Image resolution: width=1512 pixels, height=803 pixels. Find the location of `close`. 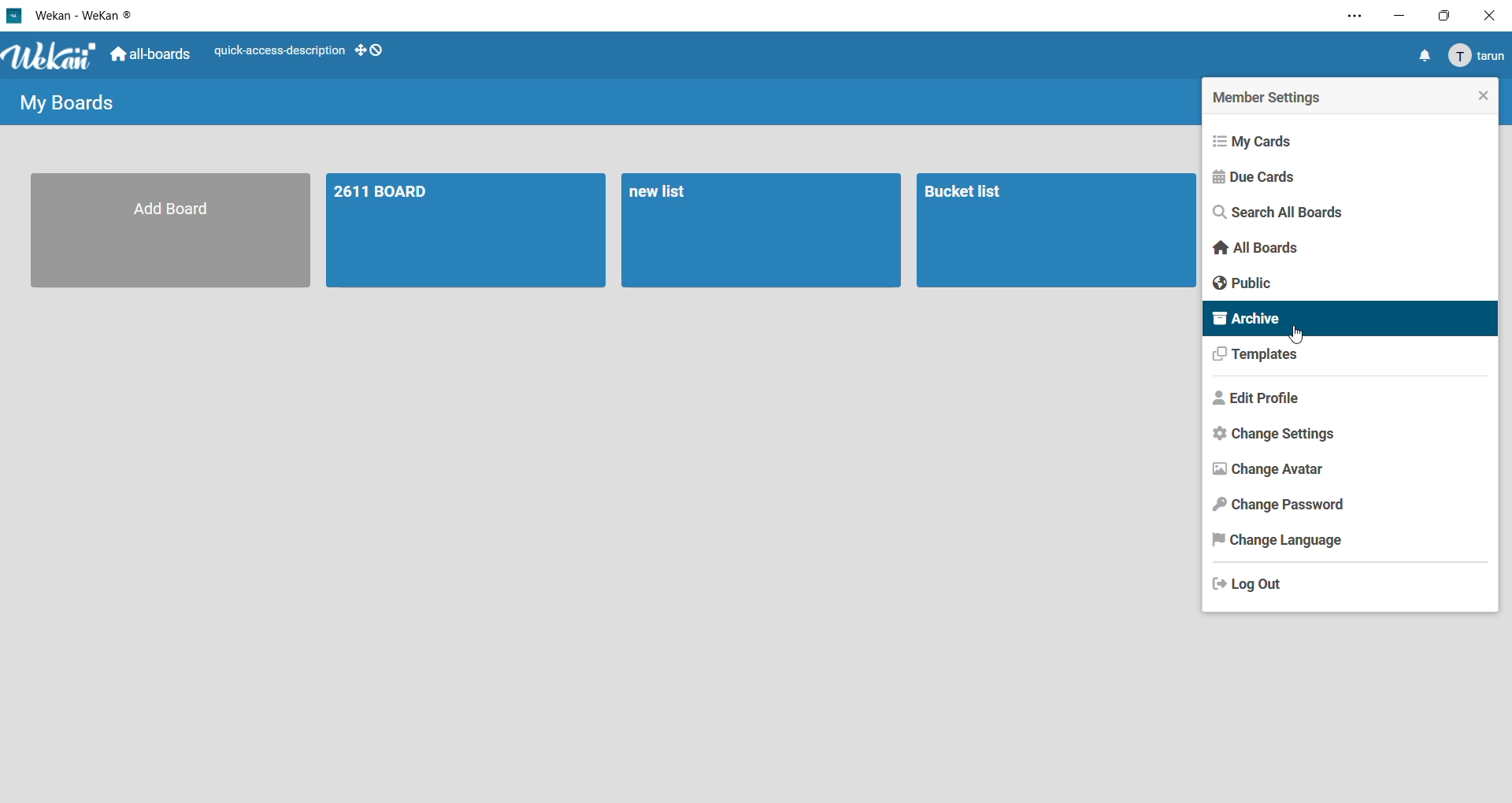

close is located at coordinates (1488, 14).